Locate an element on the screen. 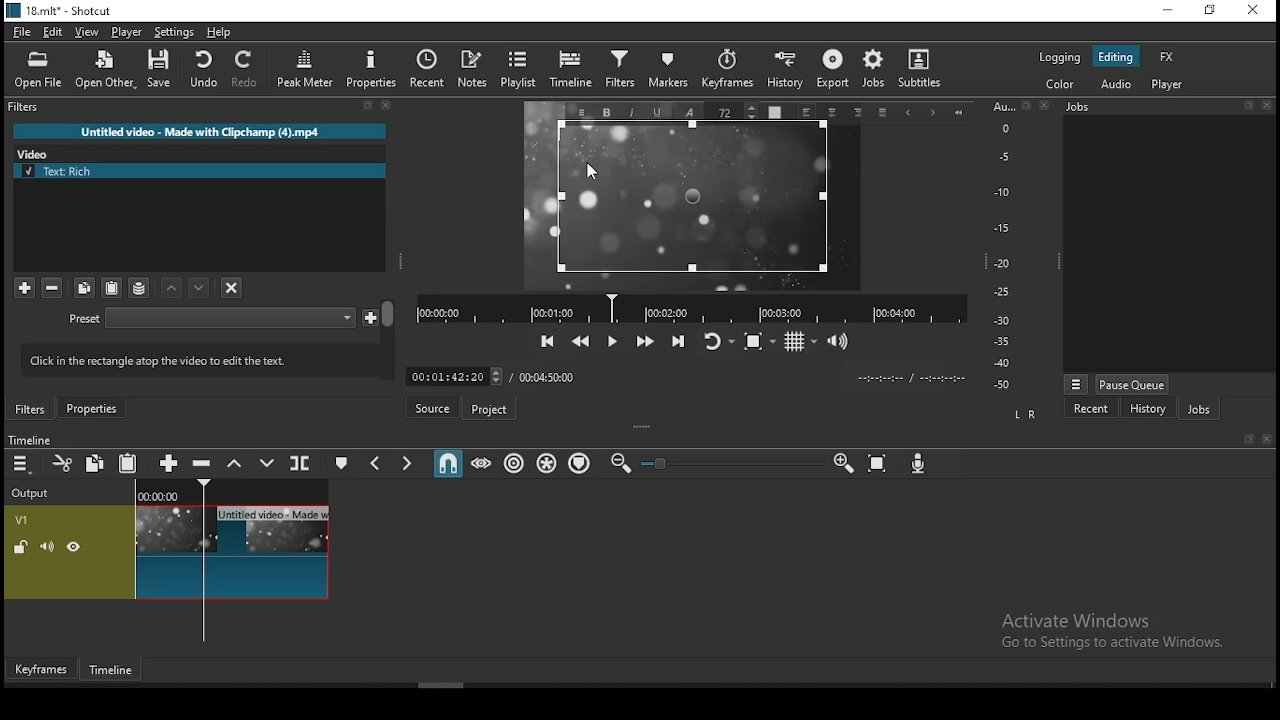 This screenshot has width=1280, height=720. L R is located at coordinates (1026, 415).